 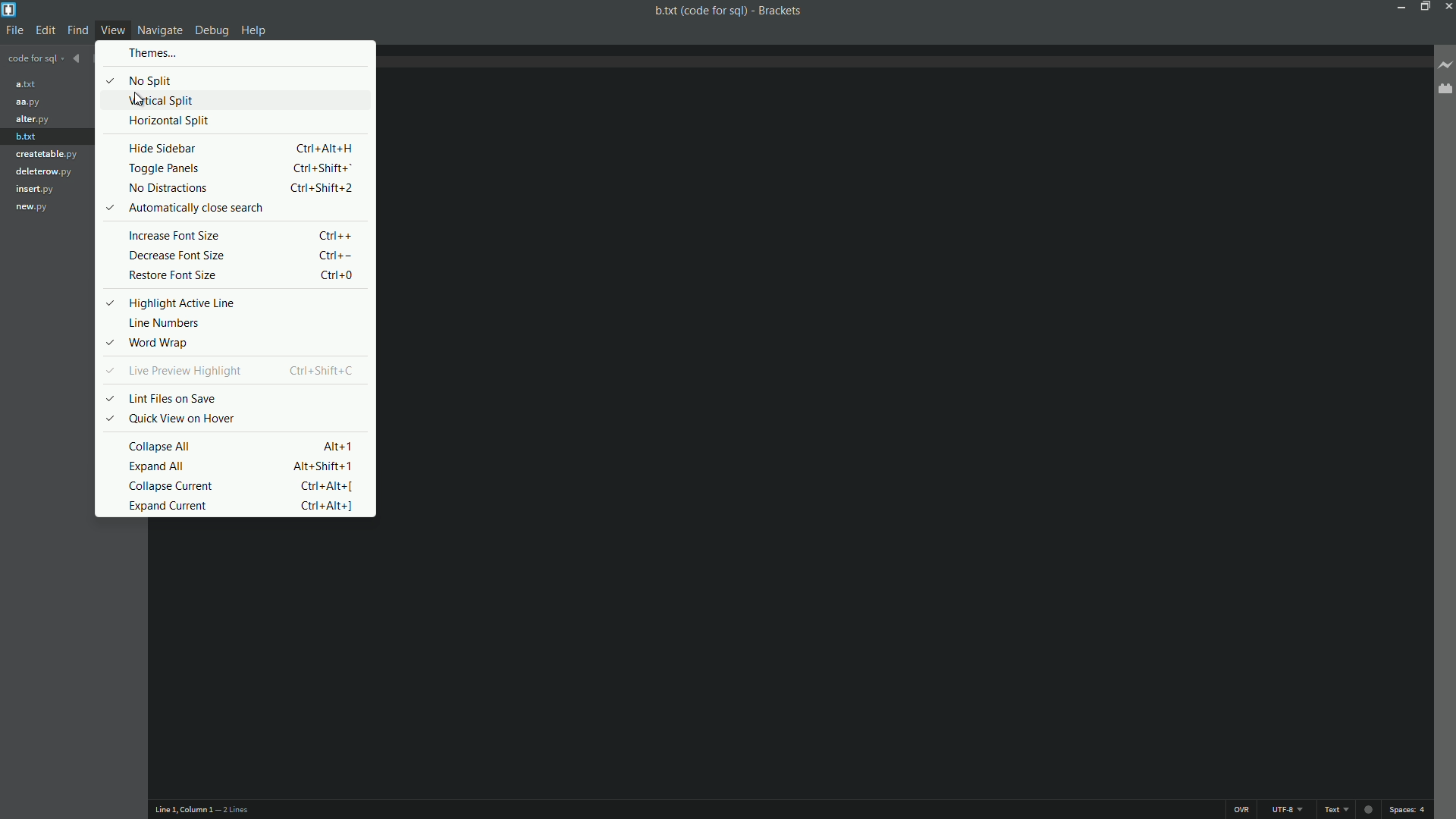 What do you see at coordinates (243, 305) in the screenshot?
I see `highlight active line` at bounding box center [243, 305].